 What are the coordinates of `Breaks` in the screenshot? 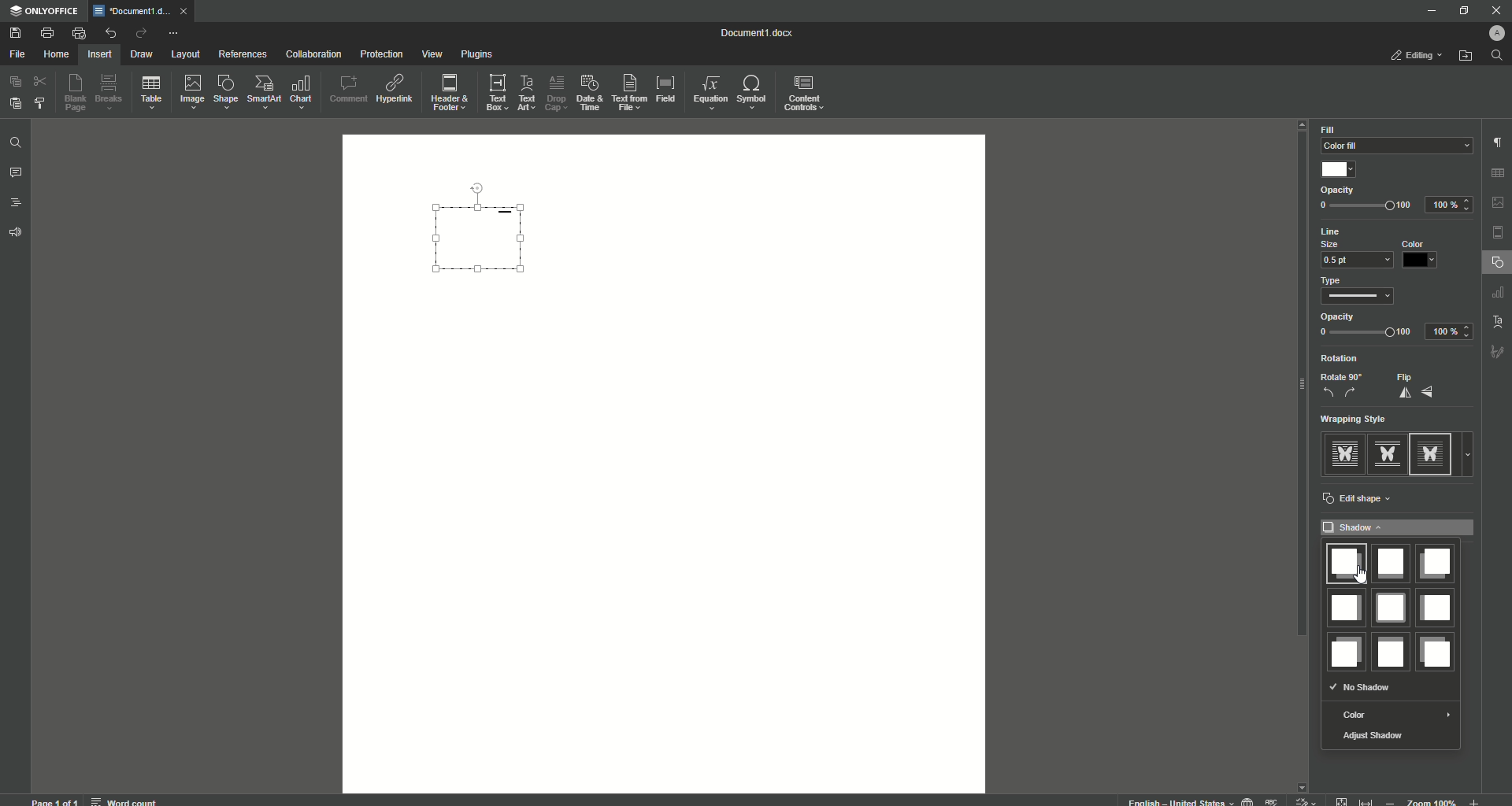 It's located at (109, 93).